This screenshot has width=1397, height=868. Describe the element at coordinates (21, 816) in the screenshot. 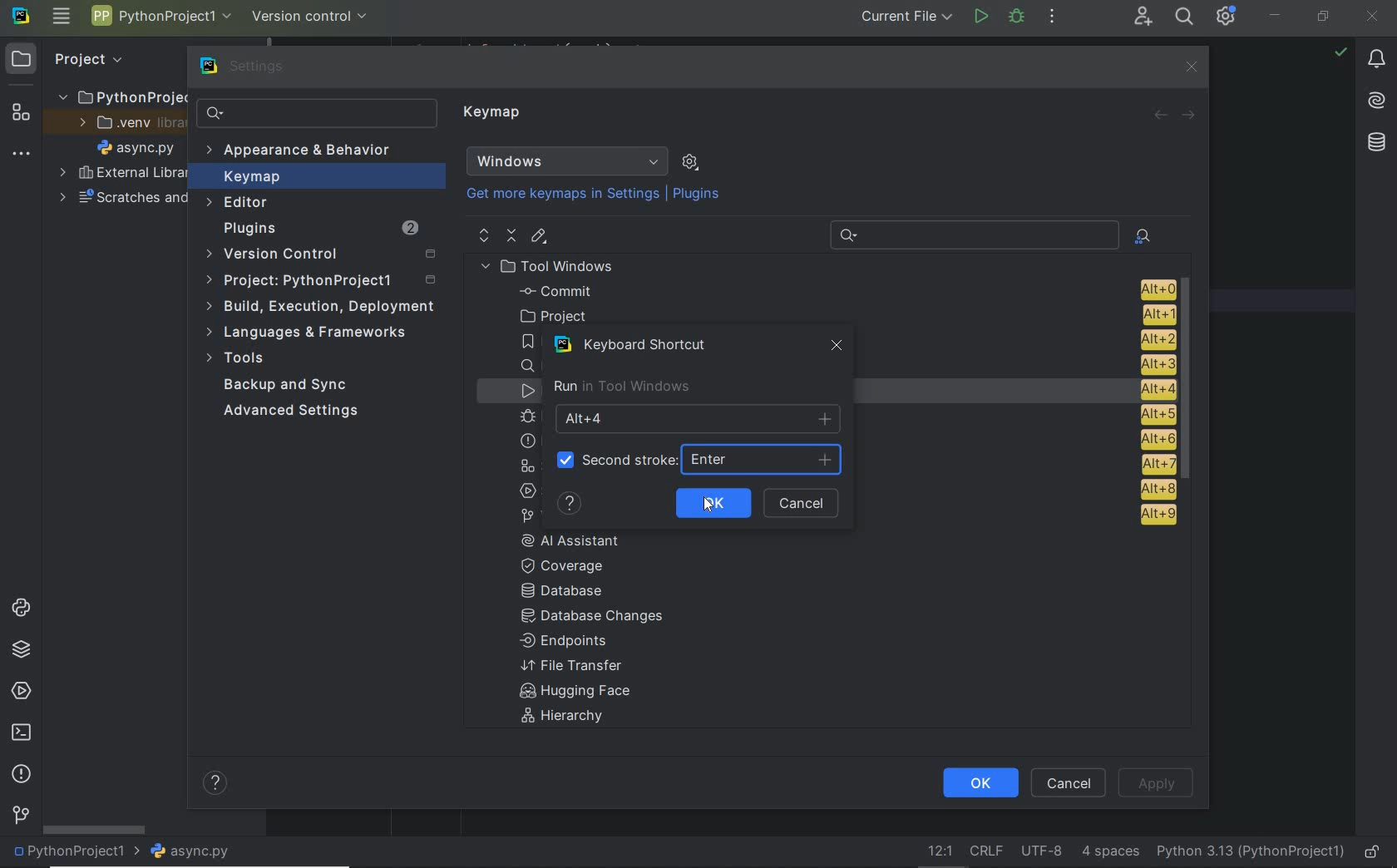

I see `version control` at that location.